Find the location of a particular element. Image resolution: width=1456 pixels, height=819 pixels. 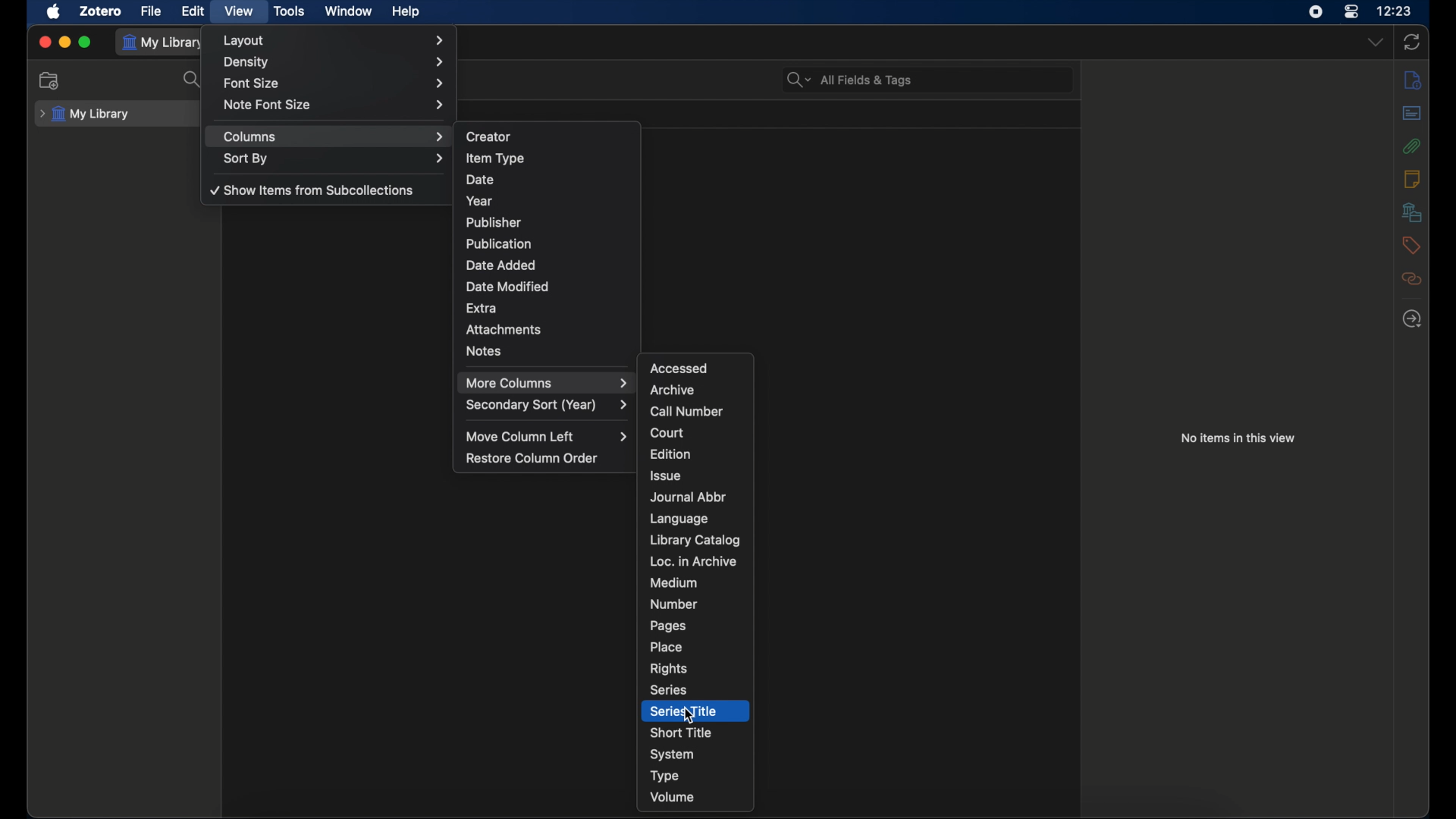

library catalog is located at coordinates (697, 540).